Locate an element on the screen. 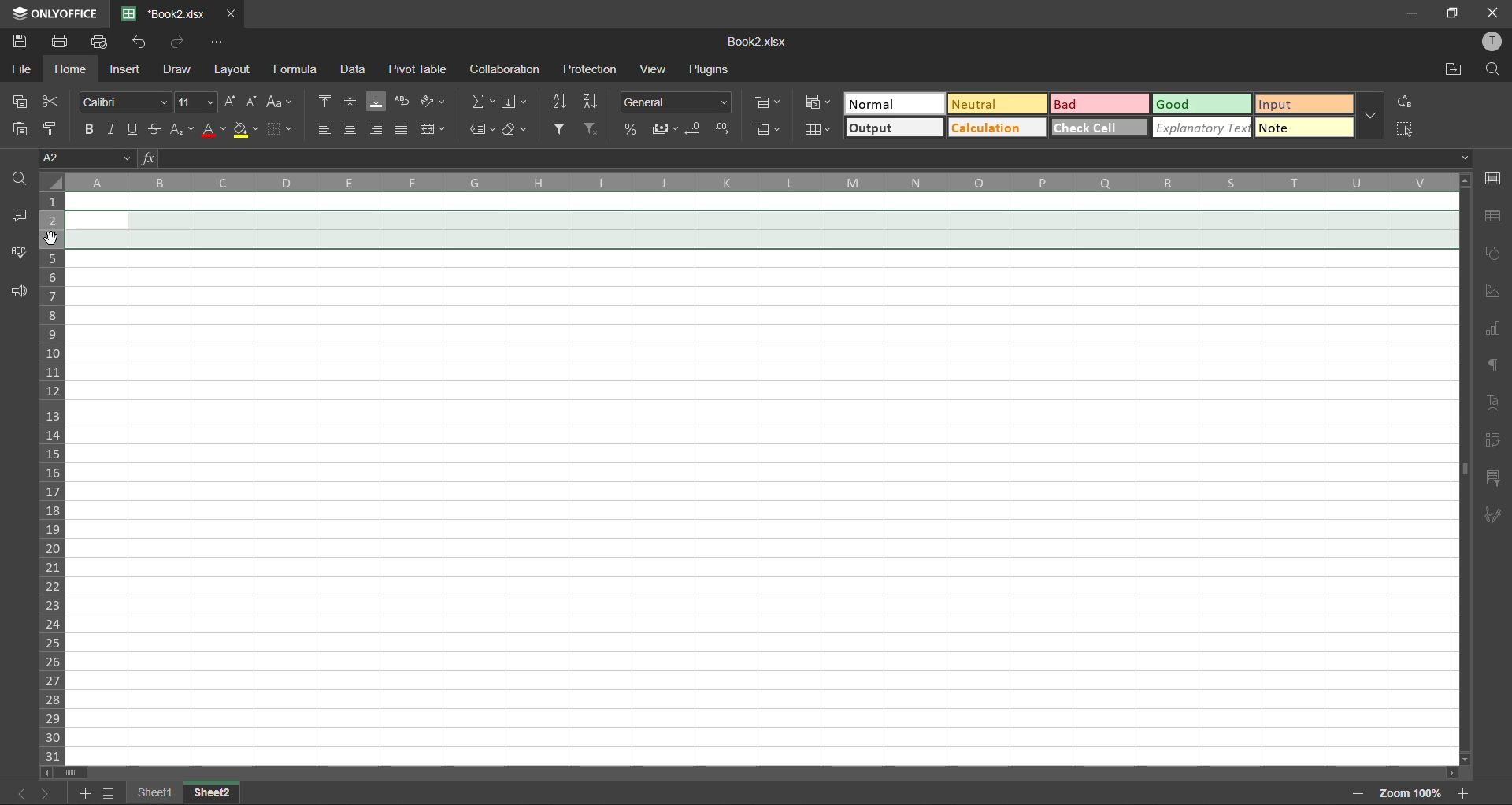 The image size is (1512, 805). input is located at coordinates (1299, 103).